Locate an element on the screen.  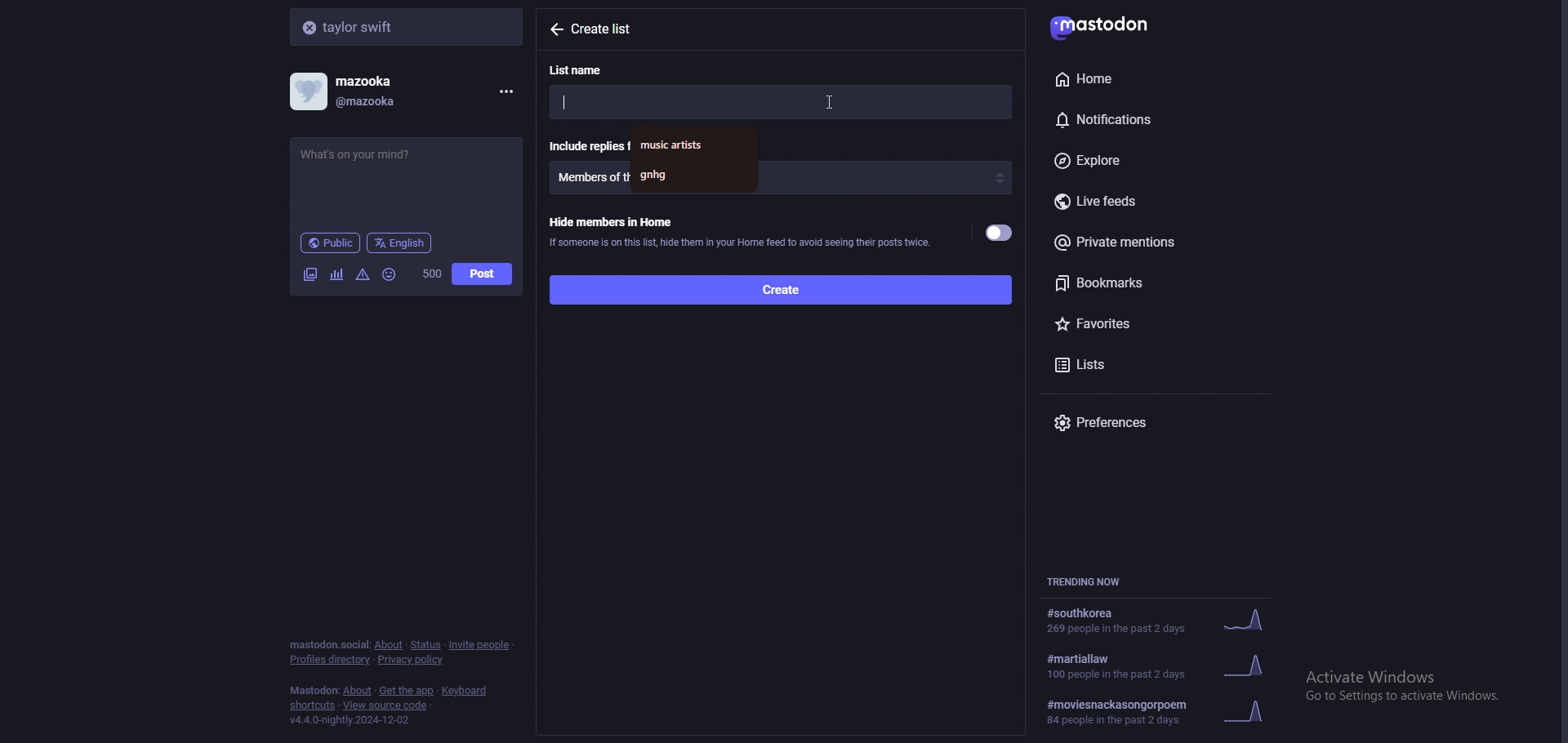
keyboard is located at coordinates (466, 691).